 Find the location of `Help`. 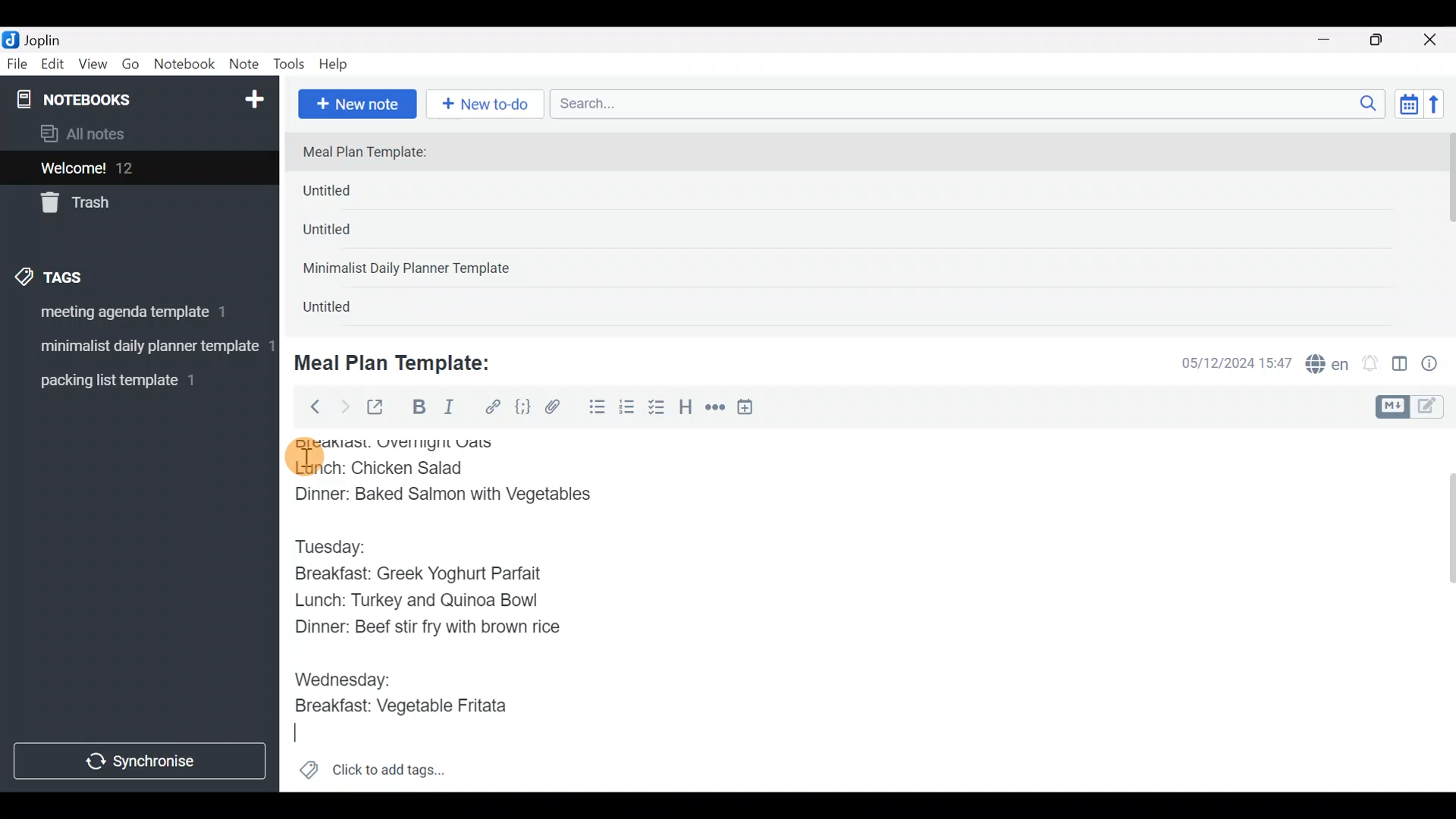

Help is located at coordinates (339, 61).